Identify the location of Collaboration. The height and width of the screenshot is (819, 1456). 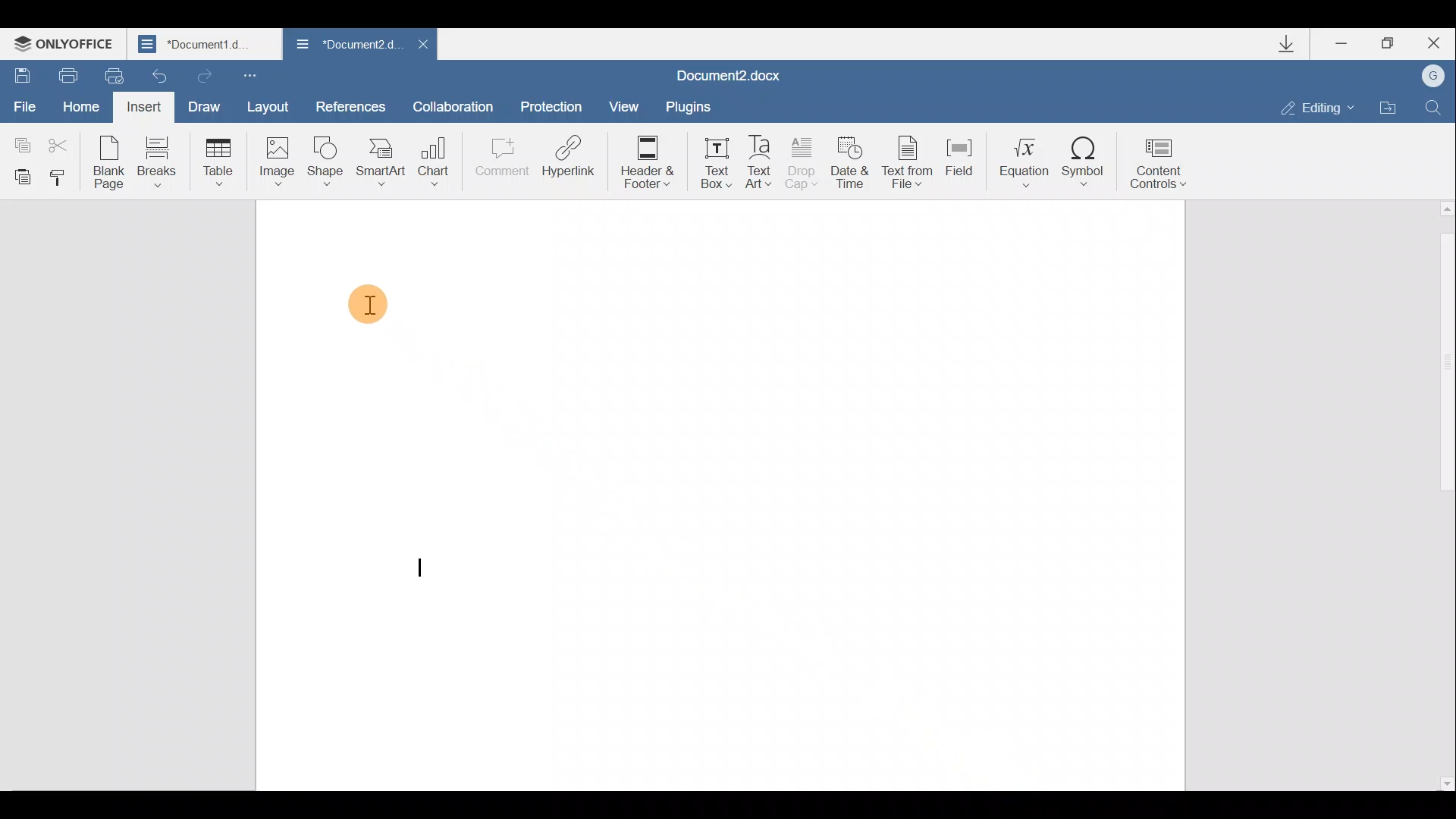
(453, 104).